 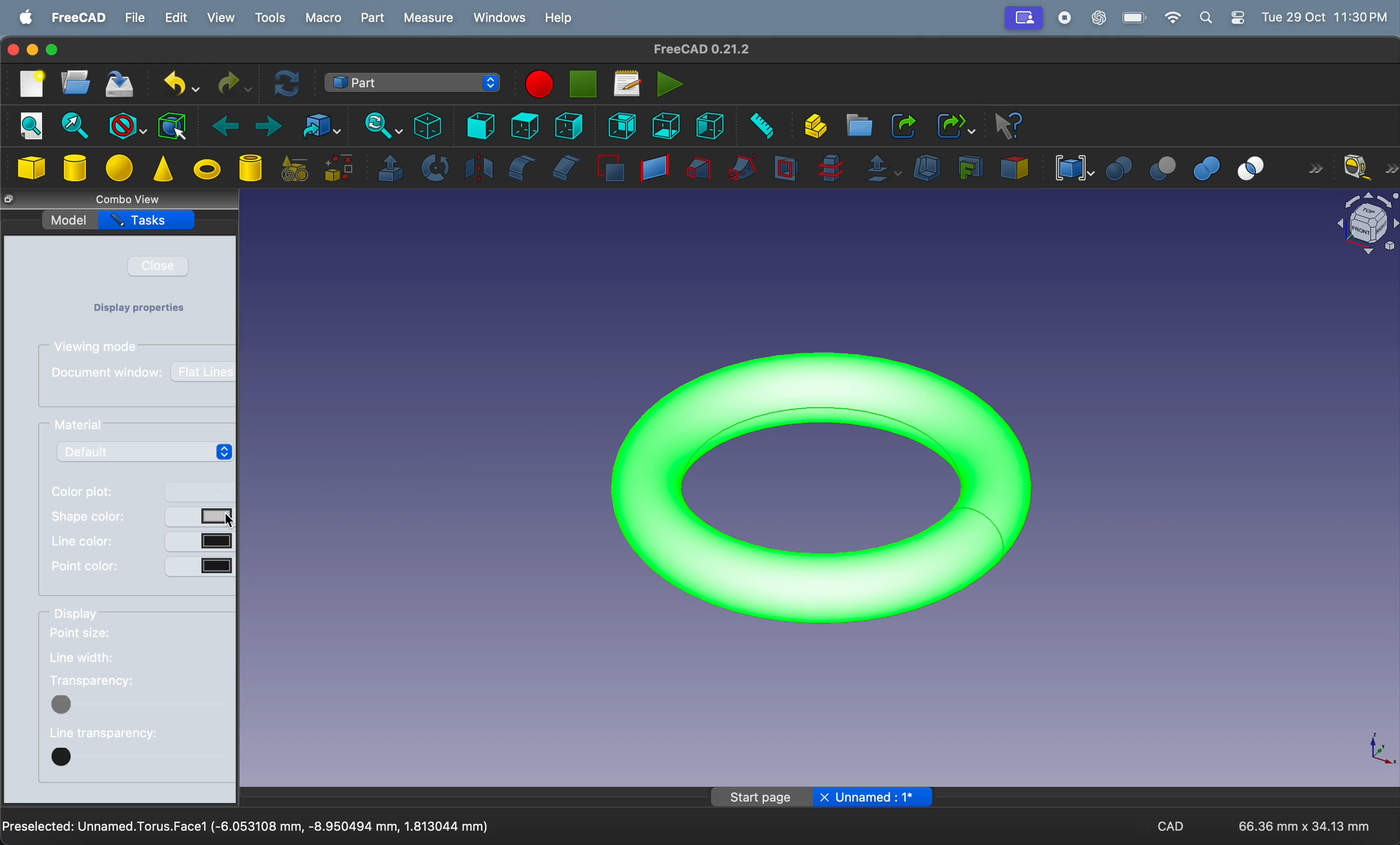 I want to click on stop marco recording, so click(x=584, y=84).